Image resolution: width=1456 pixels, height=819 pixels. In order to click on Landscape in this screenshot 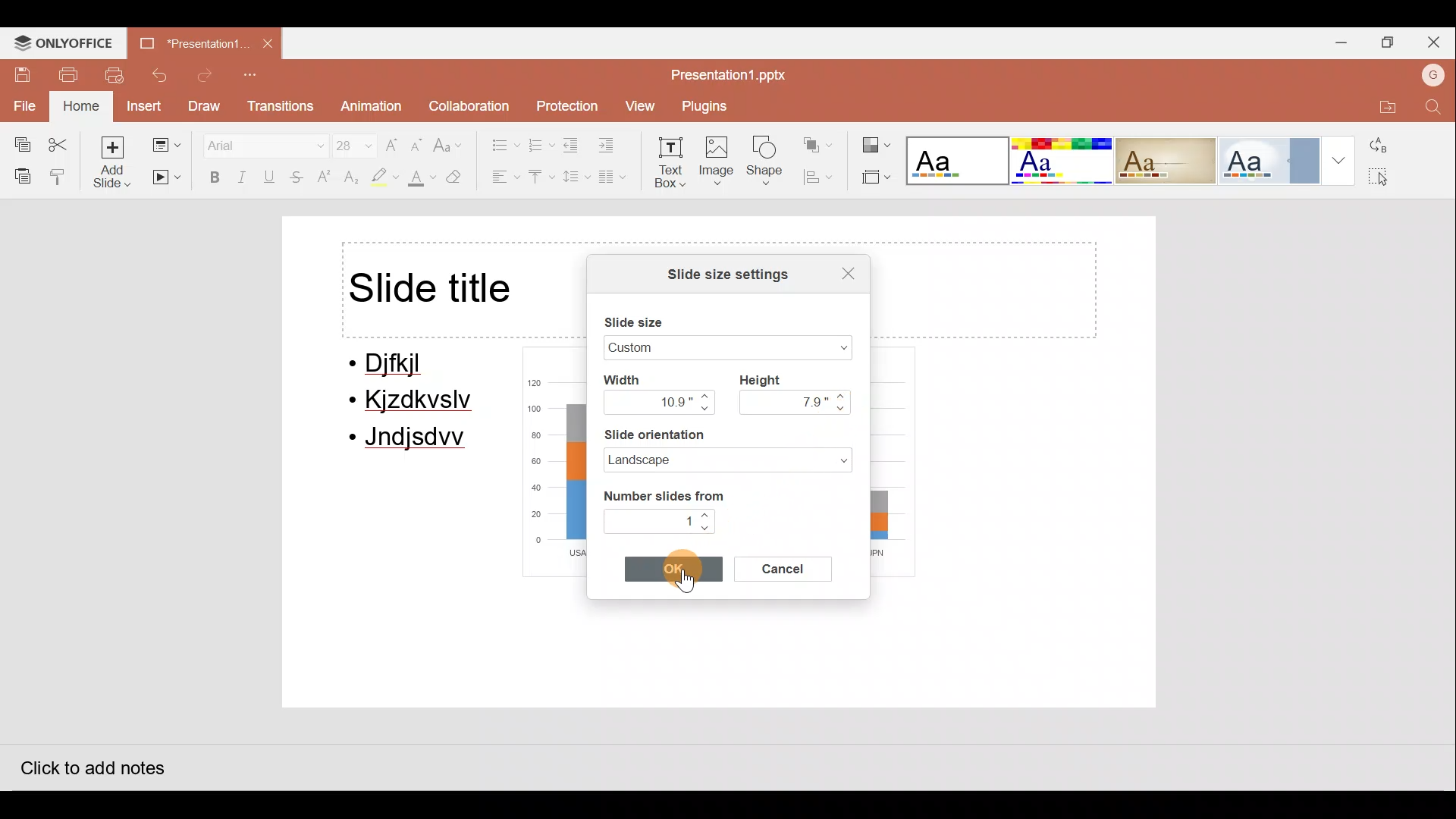, I will do `click(692, 460)`.